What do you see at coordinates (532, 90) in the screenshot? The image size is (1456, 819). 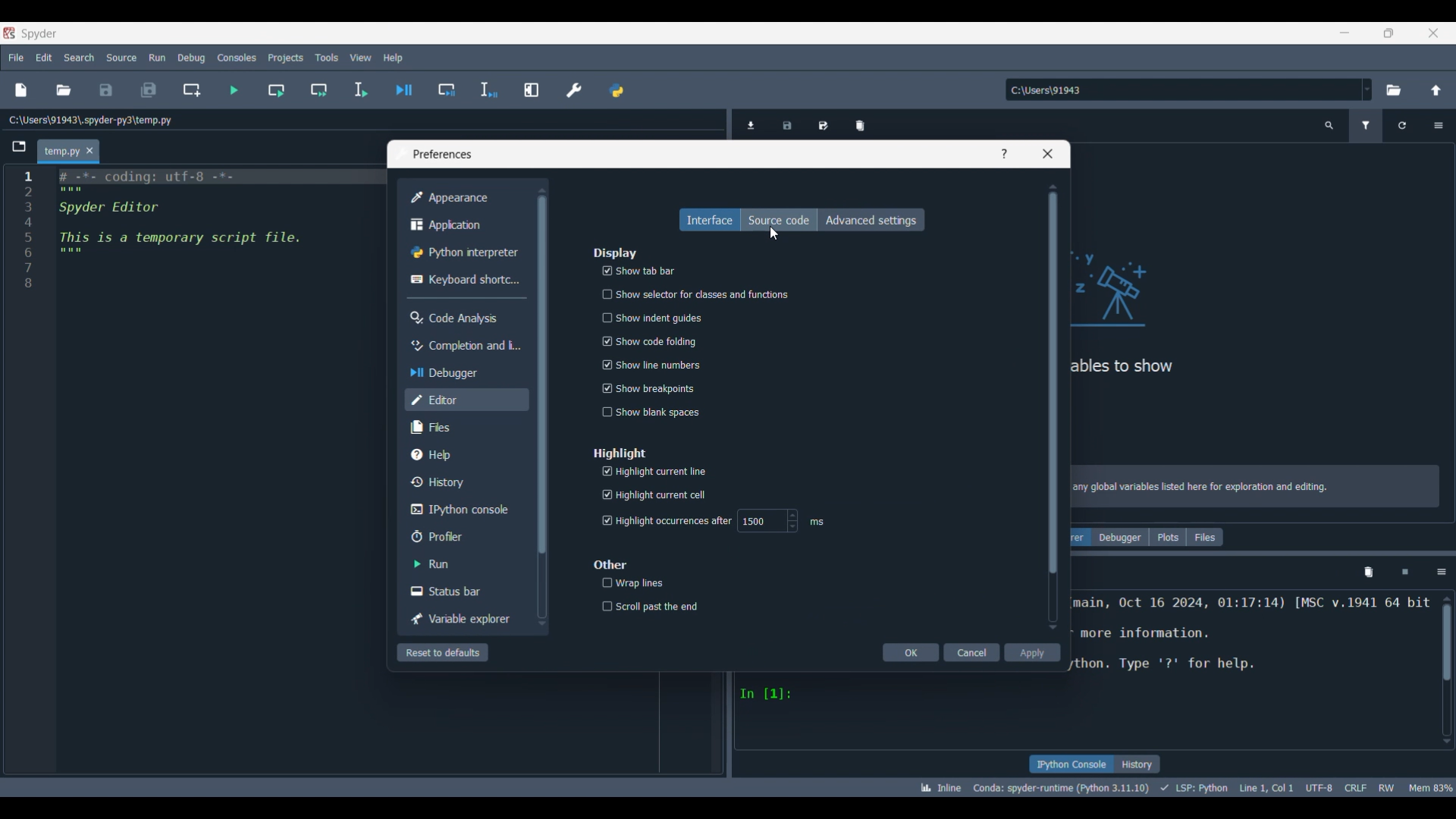 I see `Maximize current pane` at bounding box center [532, 90].